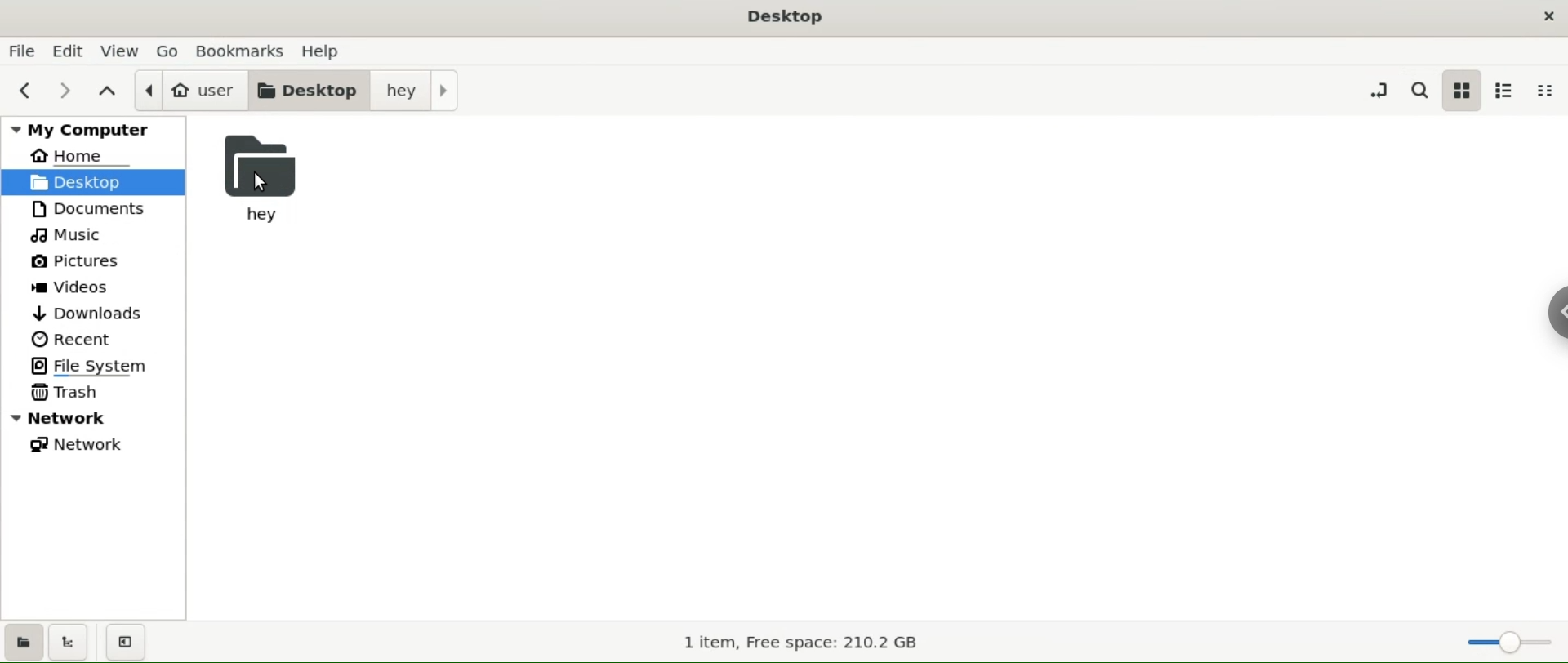 This screenshot has height=663, width=1568. I want to click on Desktop, so click(791, 16).